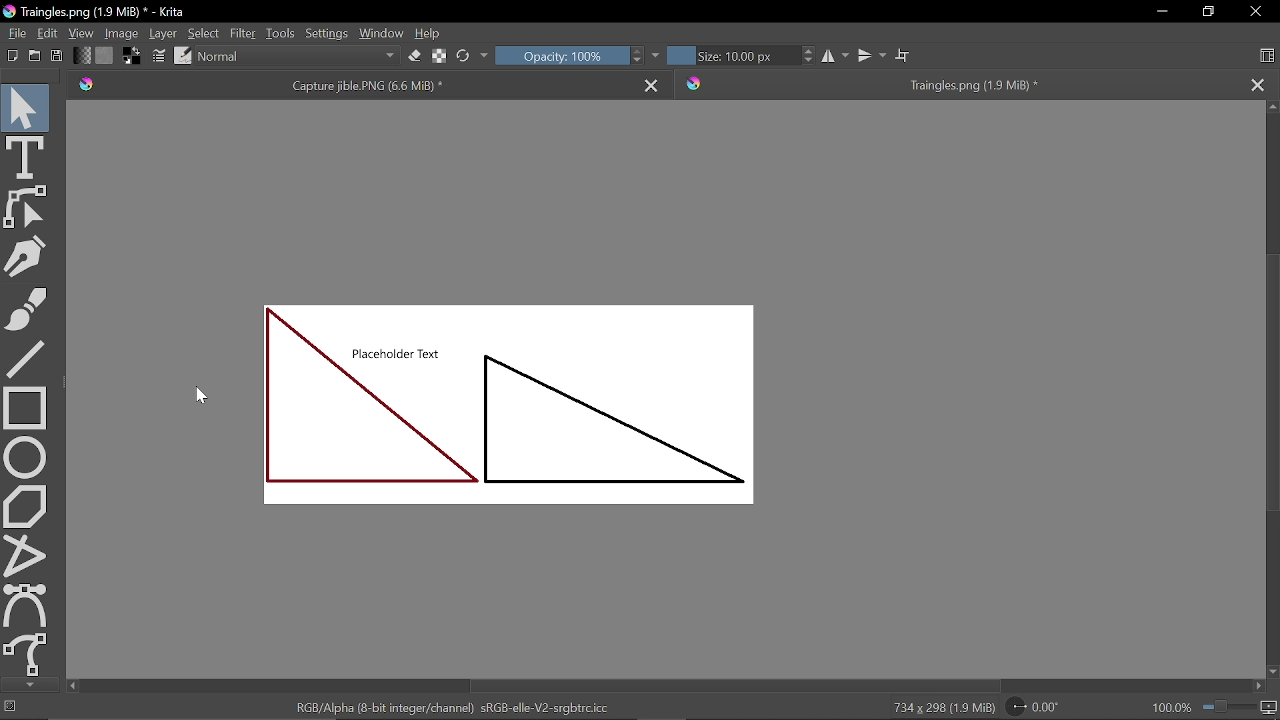  I want to click on Close window, so click(1254, 12).